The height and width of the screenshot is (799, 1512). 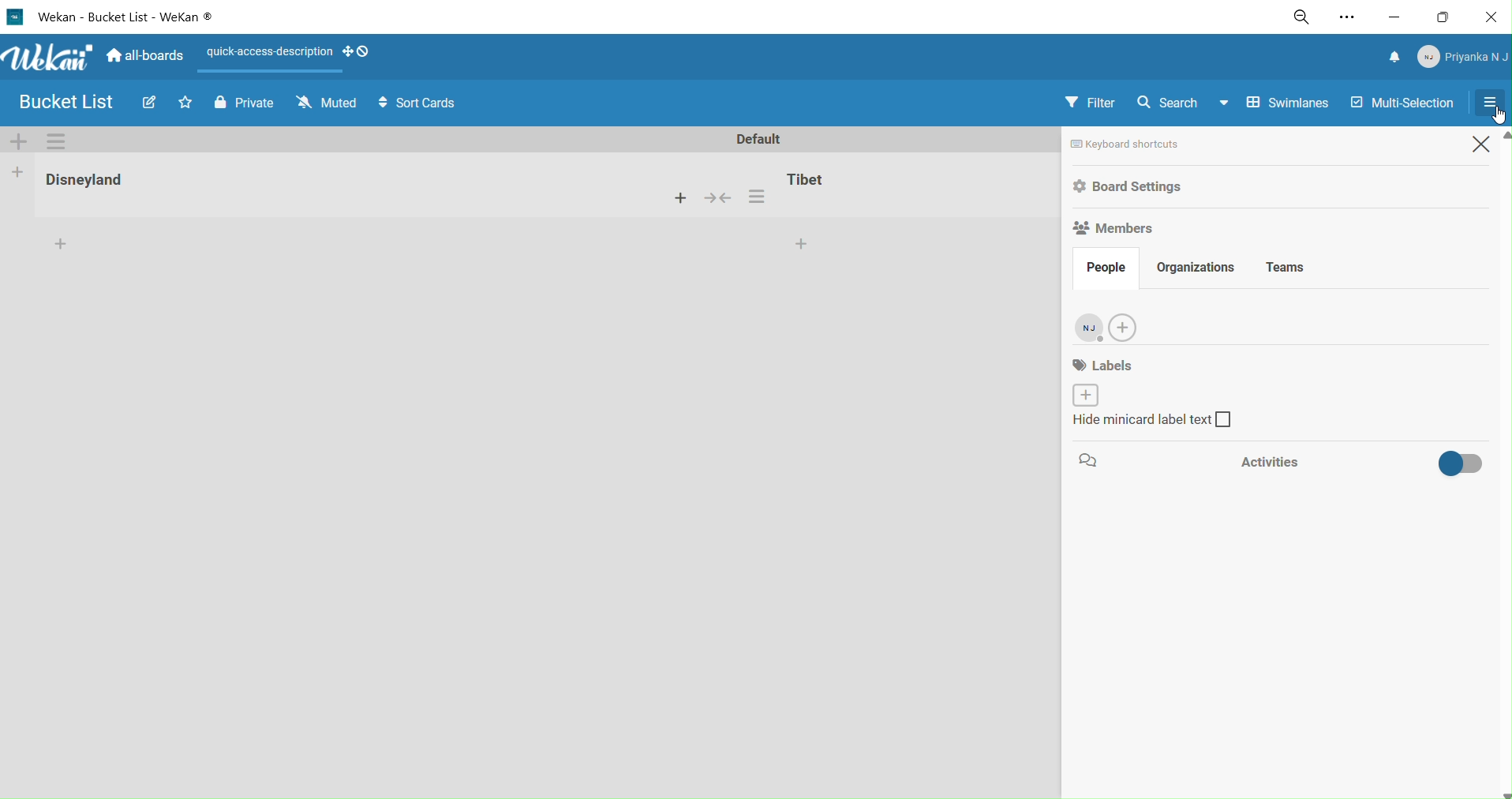 What do you see at coordinates (186, 103) in the screenshot?
I see `click to star thisboard` at bounding box center [186, 103].